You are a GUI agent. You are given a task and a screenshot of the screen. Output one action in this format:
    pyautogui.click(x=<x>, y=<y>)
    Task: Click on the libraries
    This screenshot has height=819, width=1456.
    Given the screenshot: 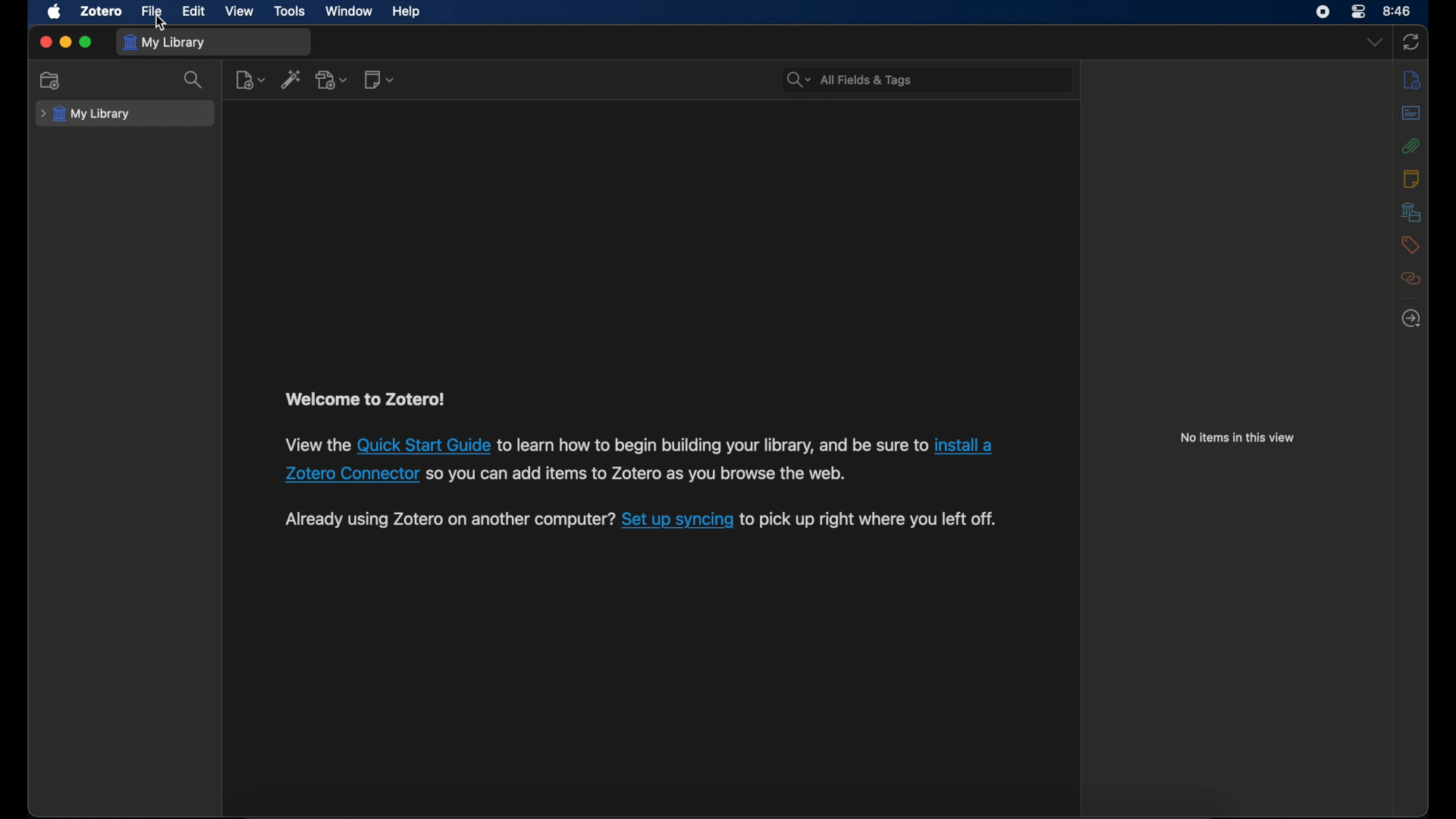 What is the action you would take?
    pyautogui.click(x=1412, y=212)
    